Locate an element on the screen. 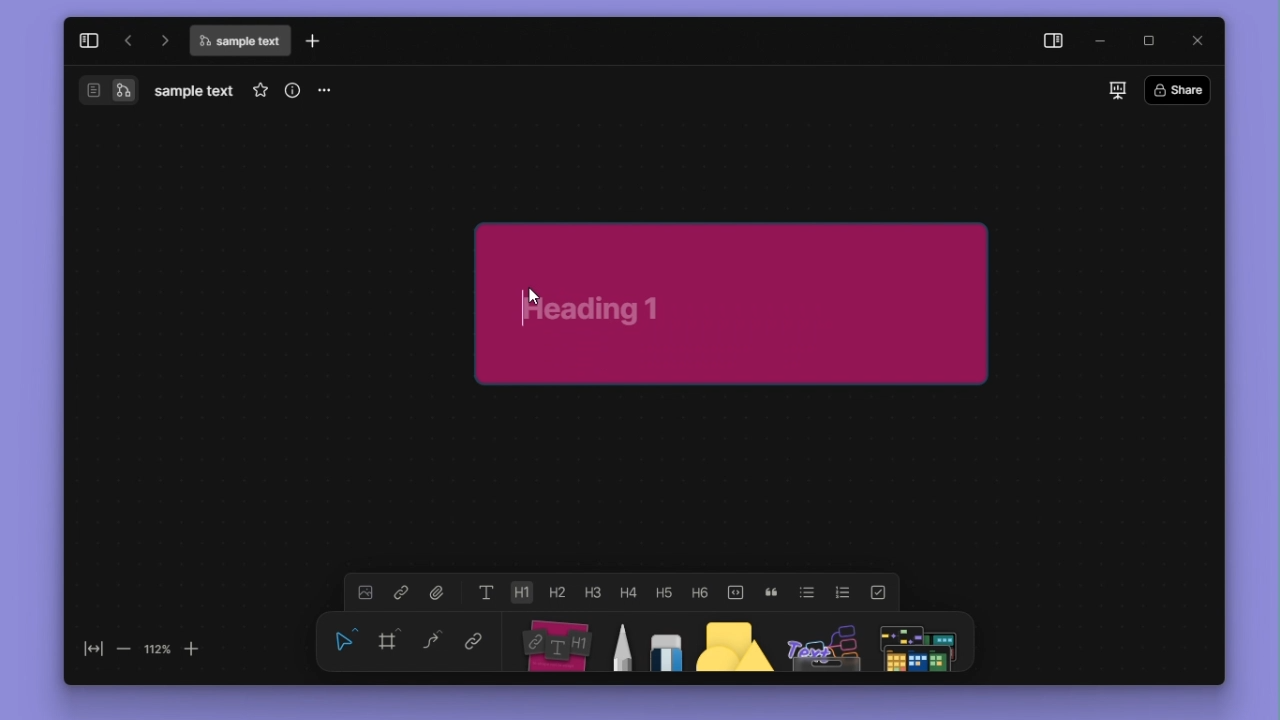 The width and height of the screenshot is (1280, 720). file name is located at coordinates (239, 41).